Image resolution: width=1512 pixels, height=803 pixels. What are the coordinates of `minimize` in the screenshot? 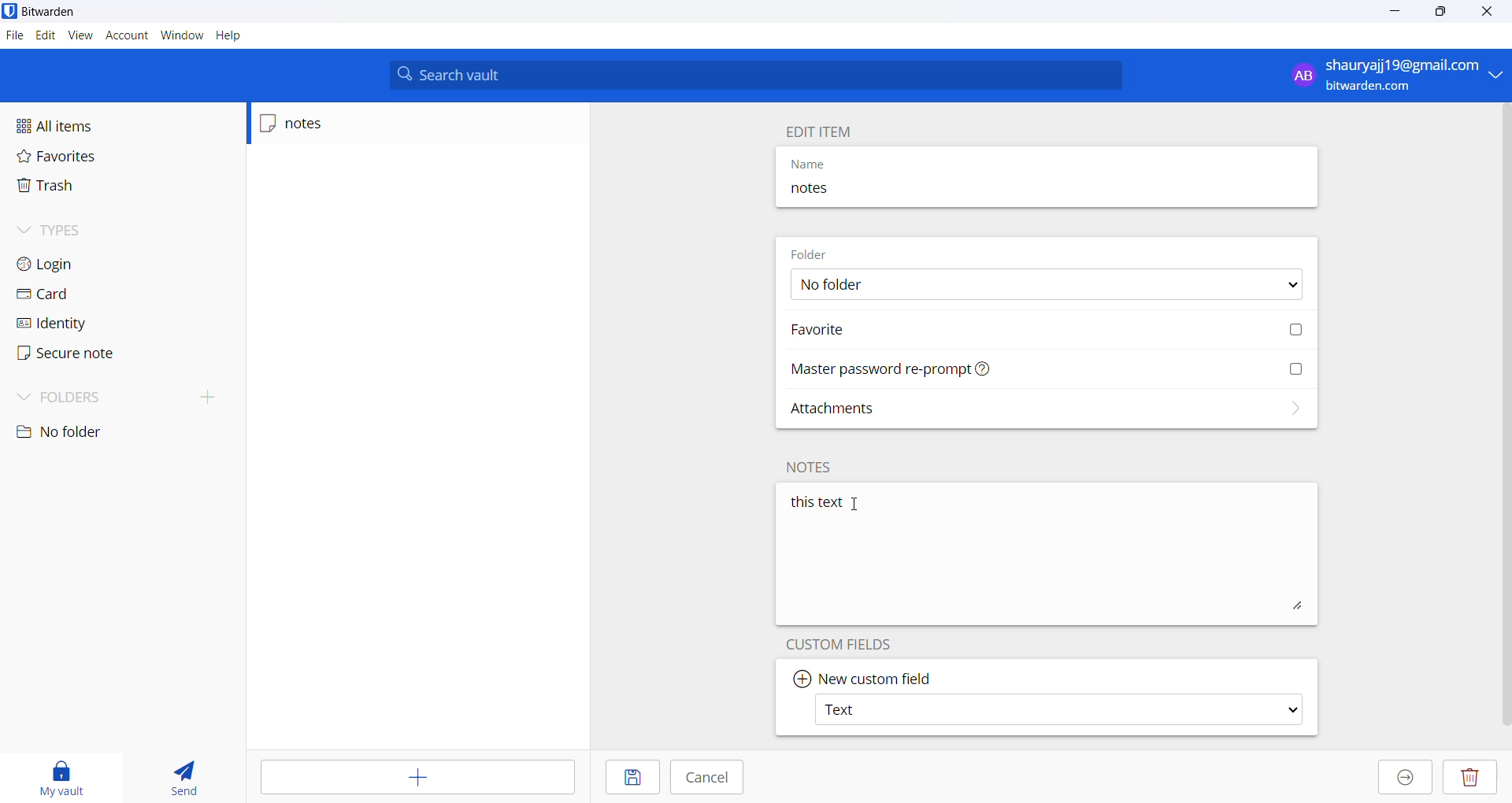 It's located at (1391, 13).